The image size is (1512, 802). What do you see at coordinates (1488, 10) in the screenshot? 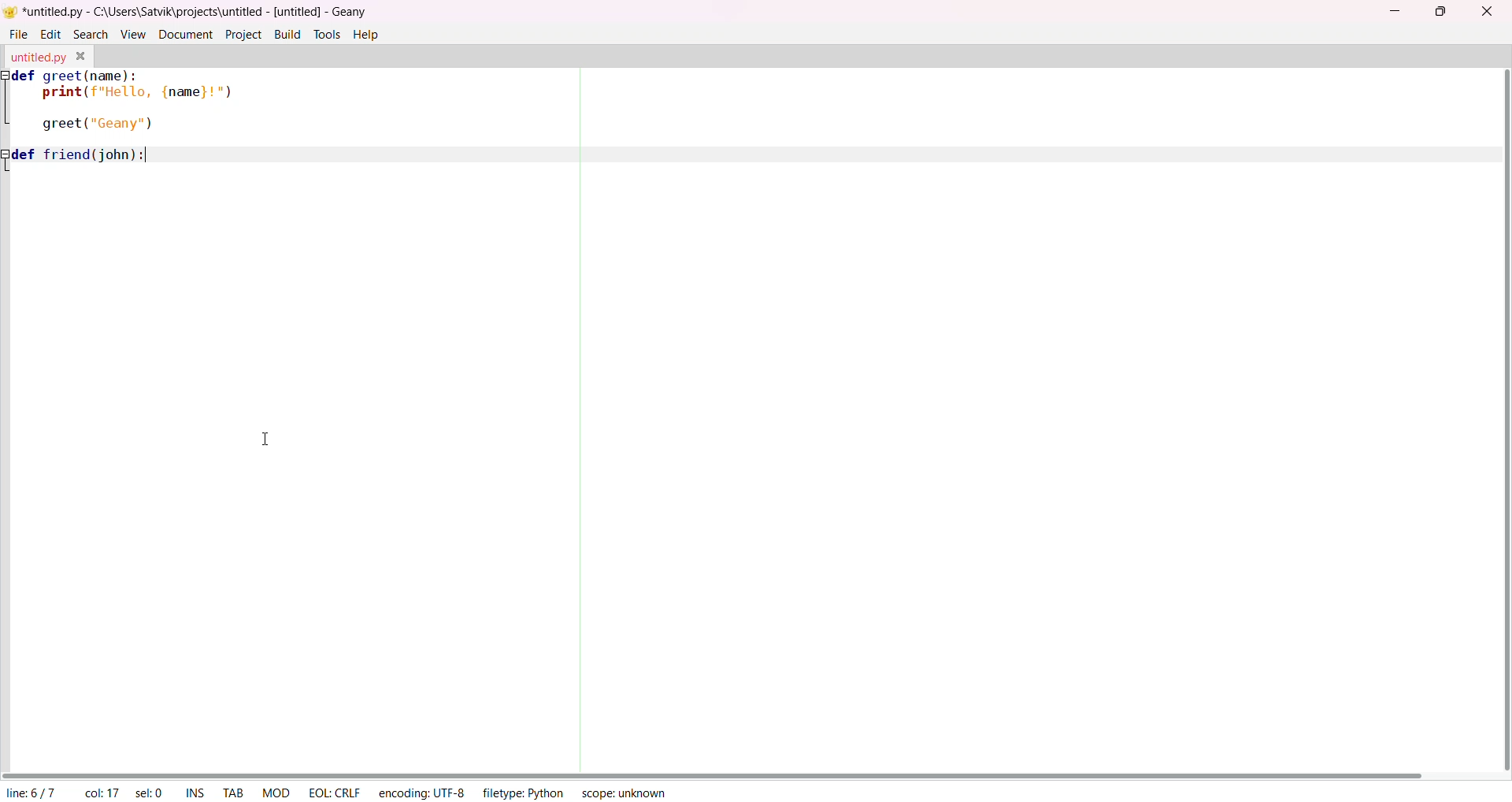
I see `close` at bounding box center [1488, 10].